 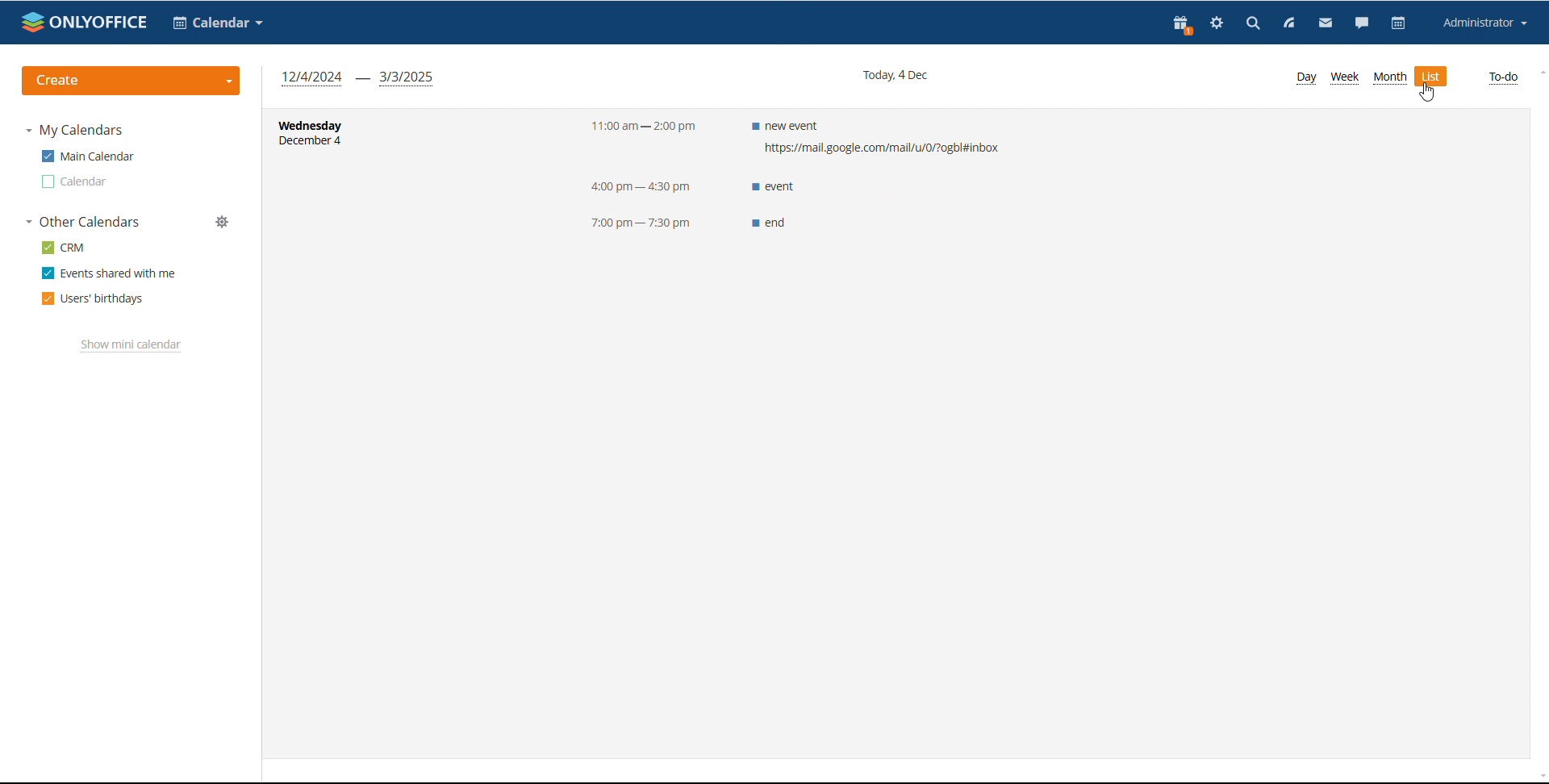 What do you see at coordinates (1481, 23) in the screenshot?
I see `account` at bounding box center [1481, 23].